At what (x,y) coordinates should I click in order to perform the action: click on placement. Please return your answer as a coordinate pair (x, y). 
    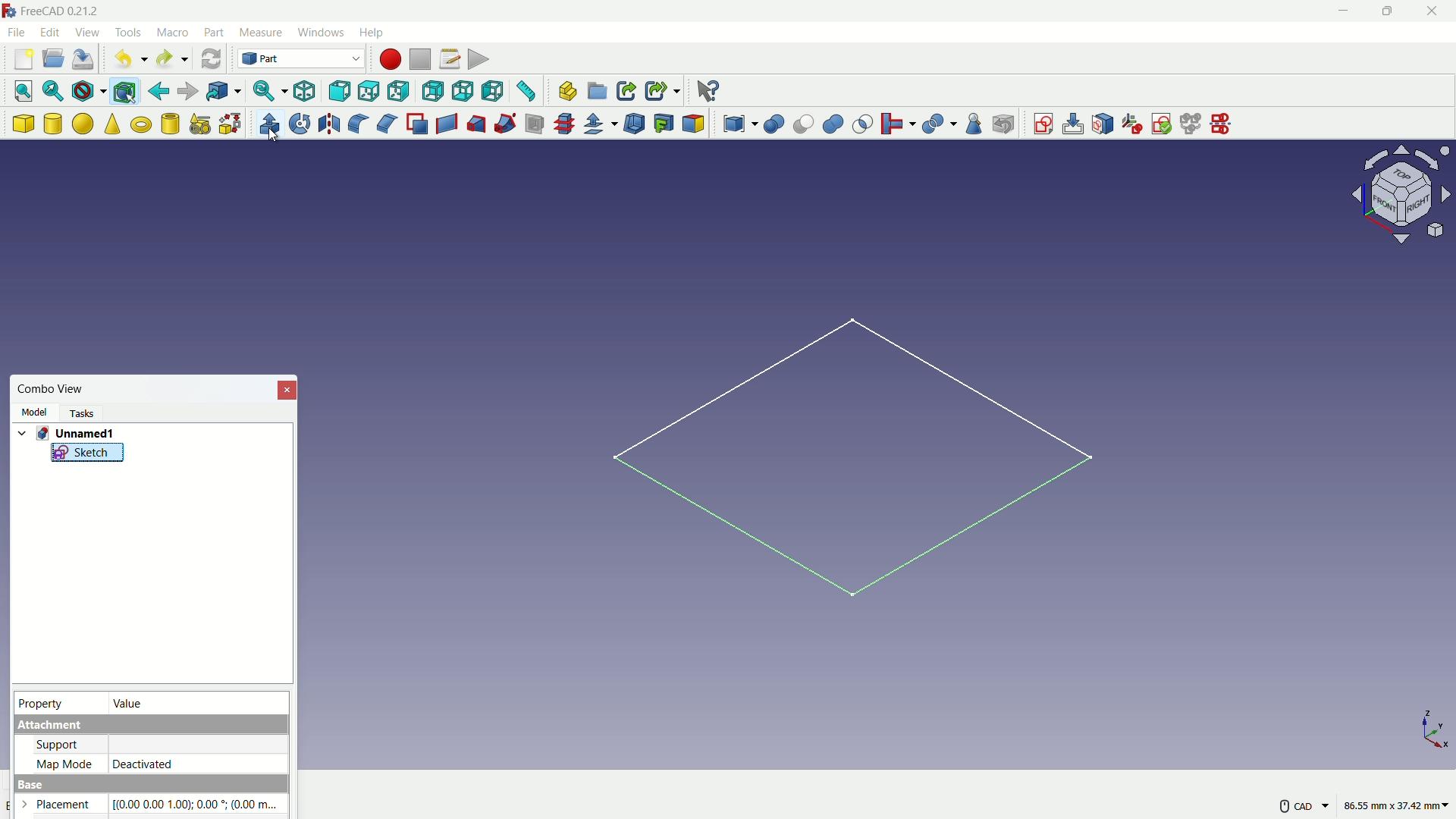
    Looking at the image, I should click on (61, 805).